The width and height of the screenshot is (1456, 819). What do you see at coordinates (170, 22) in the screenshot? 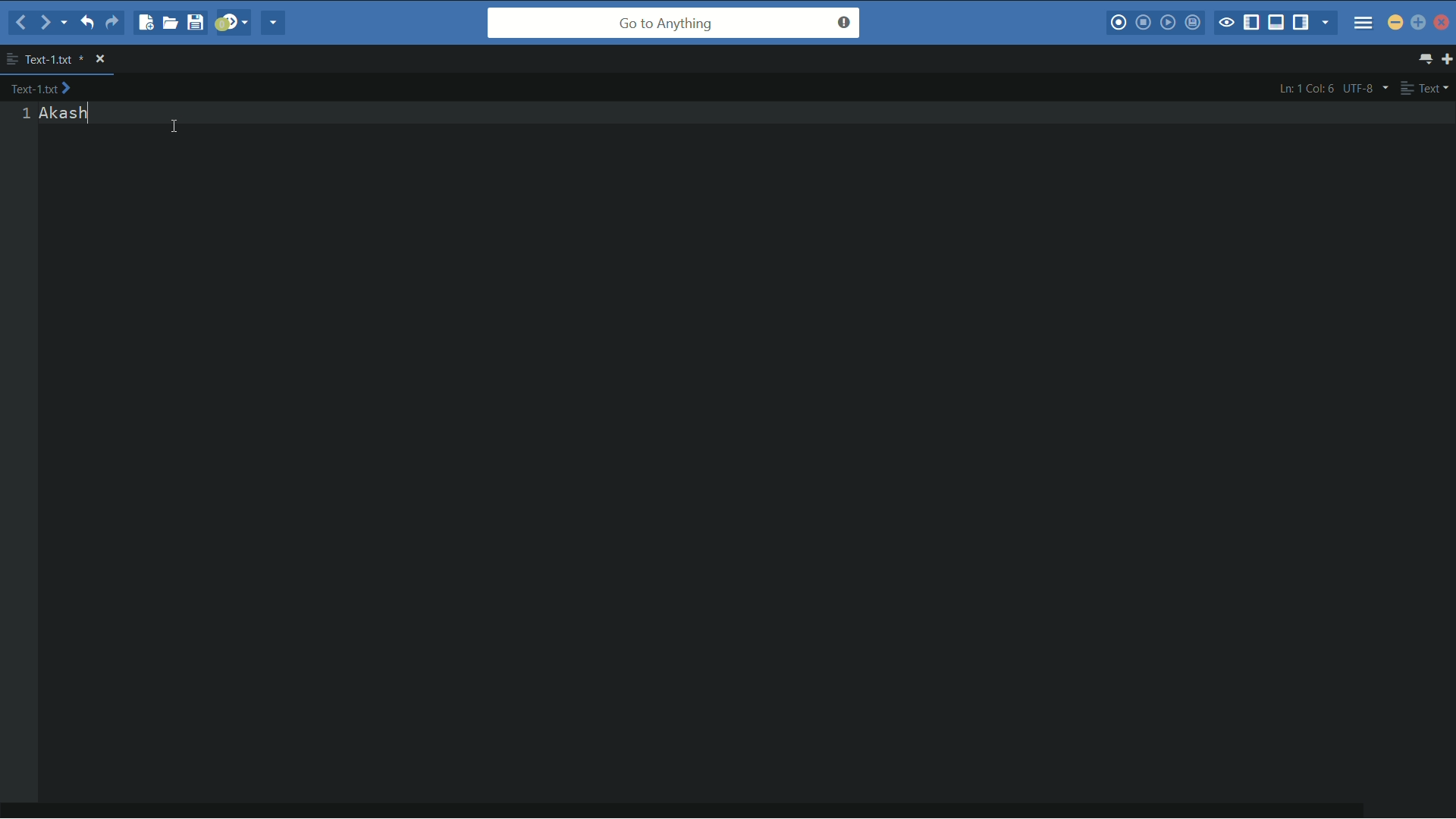
I see `open a file` at bounding box center [170, 22].